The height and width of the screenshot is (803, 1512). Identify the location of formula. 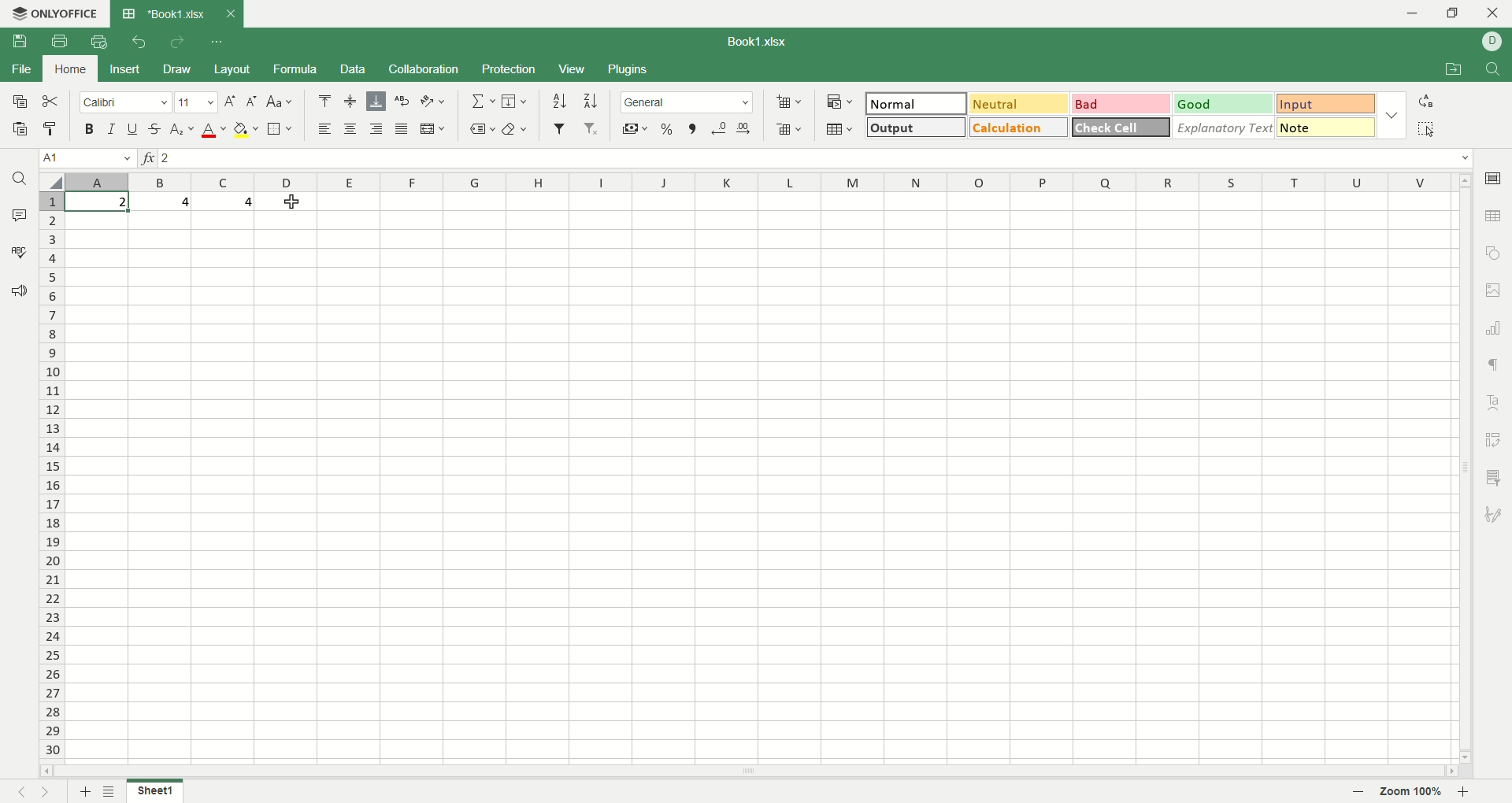
(295, 68).